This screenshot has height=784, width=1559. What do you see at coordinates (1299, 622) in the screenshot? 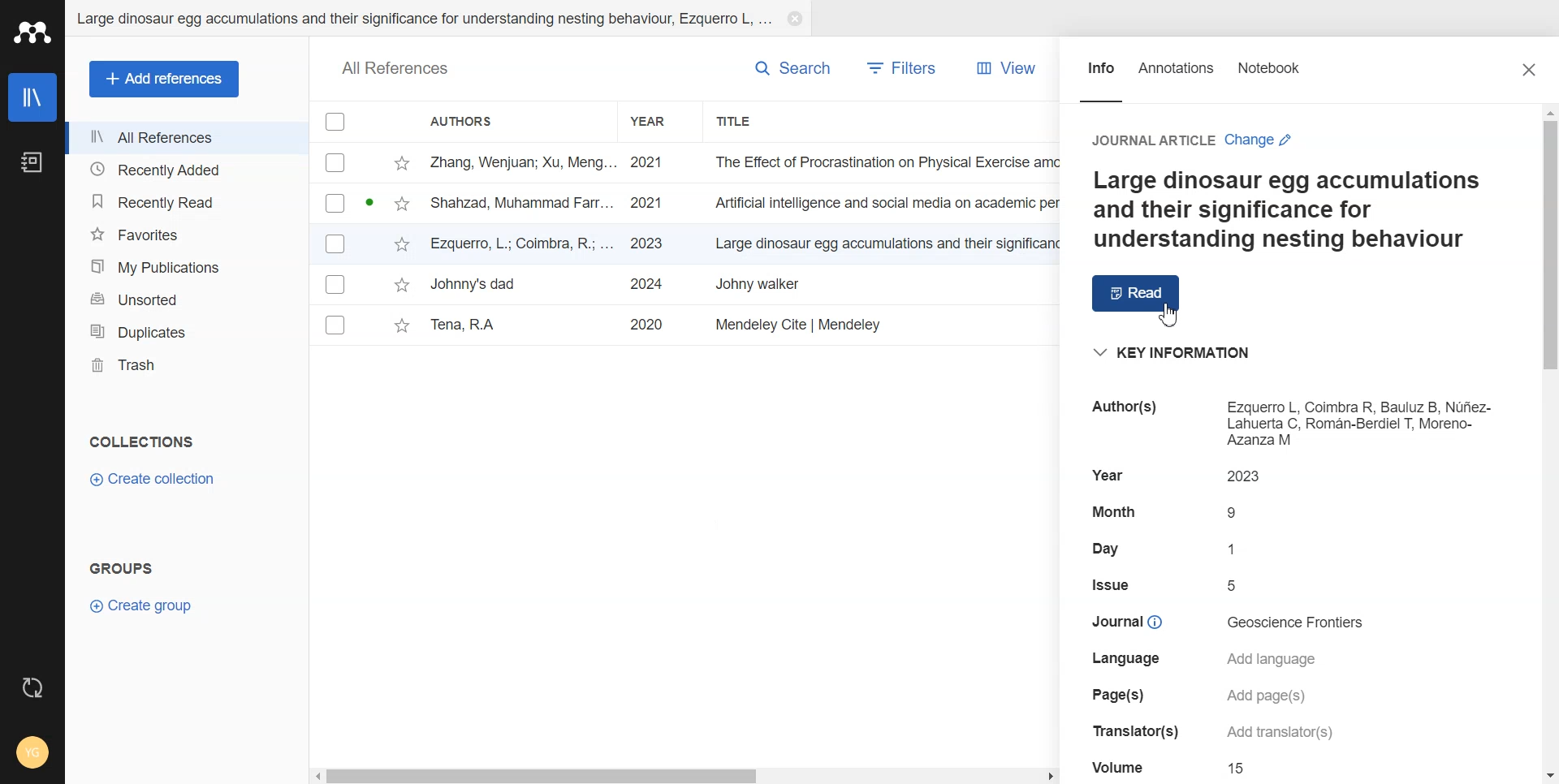
I see `text` at bounding box center [1299, 622].